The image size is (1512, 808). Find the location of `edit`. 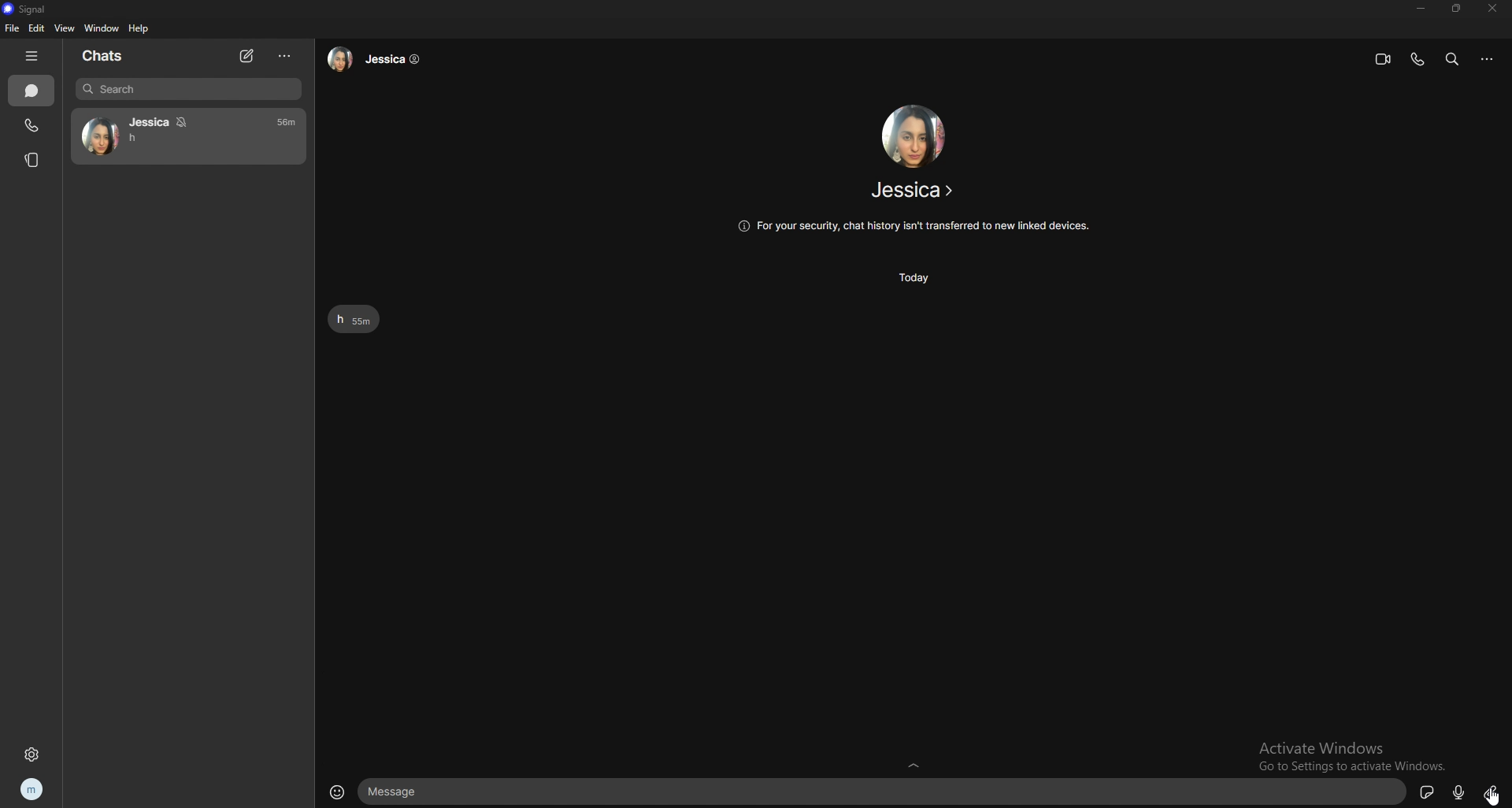

edit is located at coordinates (38, 28).